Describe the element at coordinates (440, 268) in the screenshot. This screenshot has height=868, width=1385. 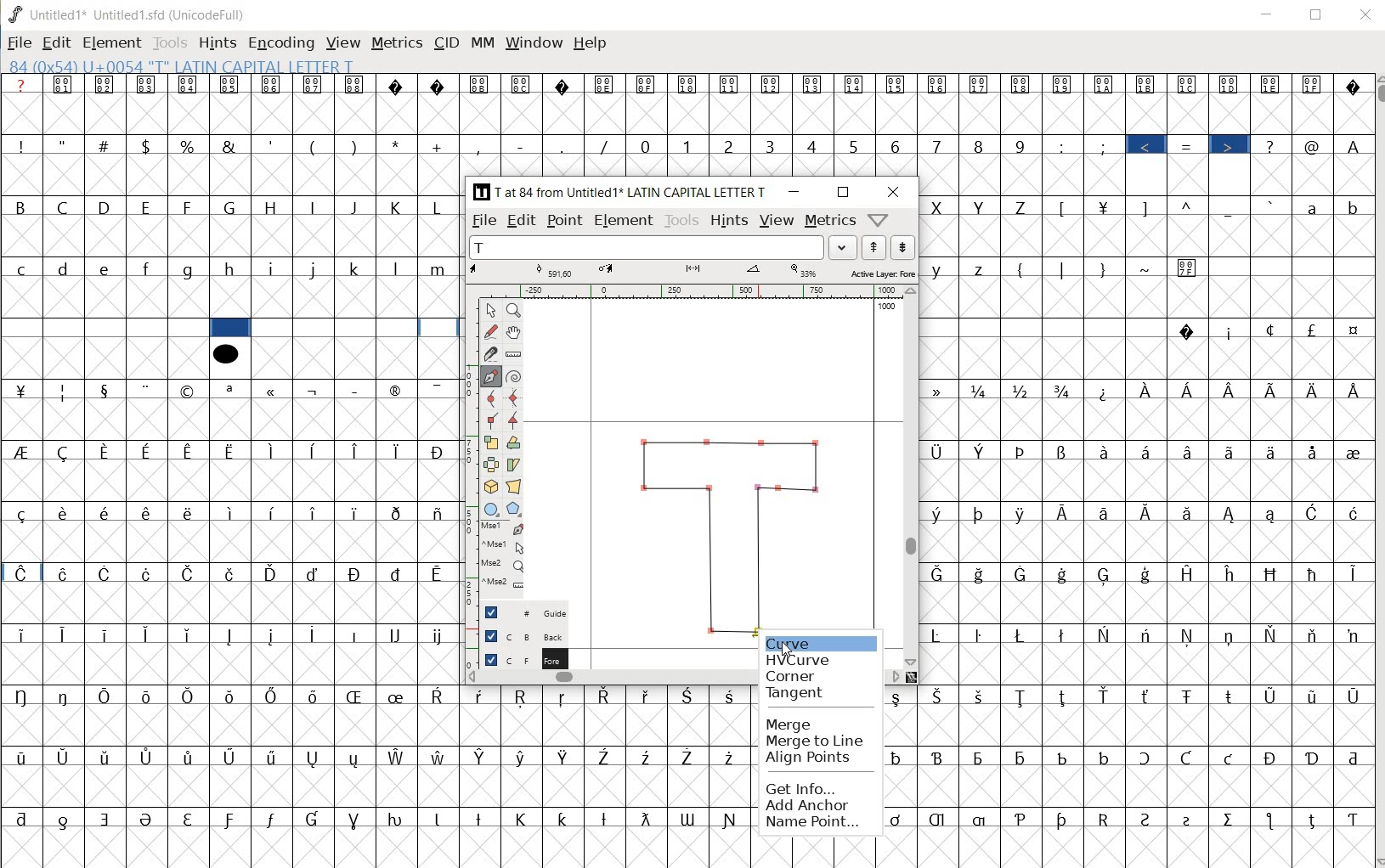
I see `m` at that location.